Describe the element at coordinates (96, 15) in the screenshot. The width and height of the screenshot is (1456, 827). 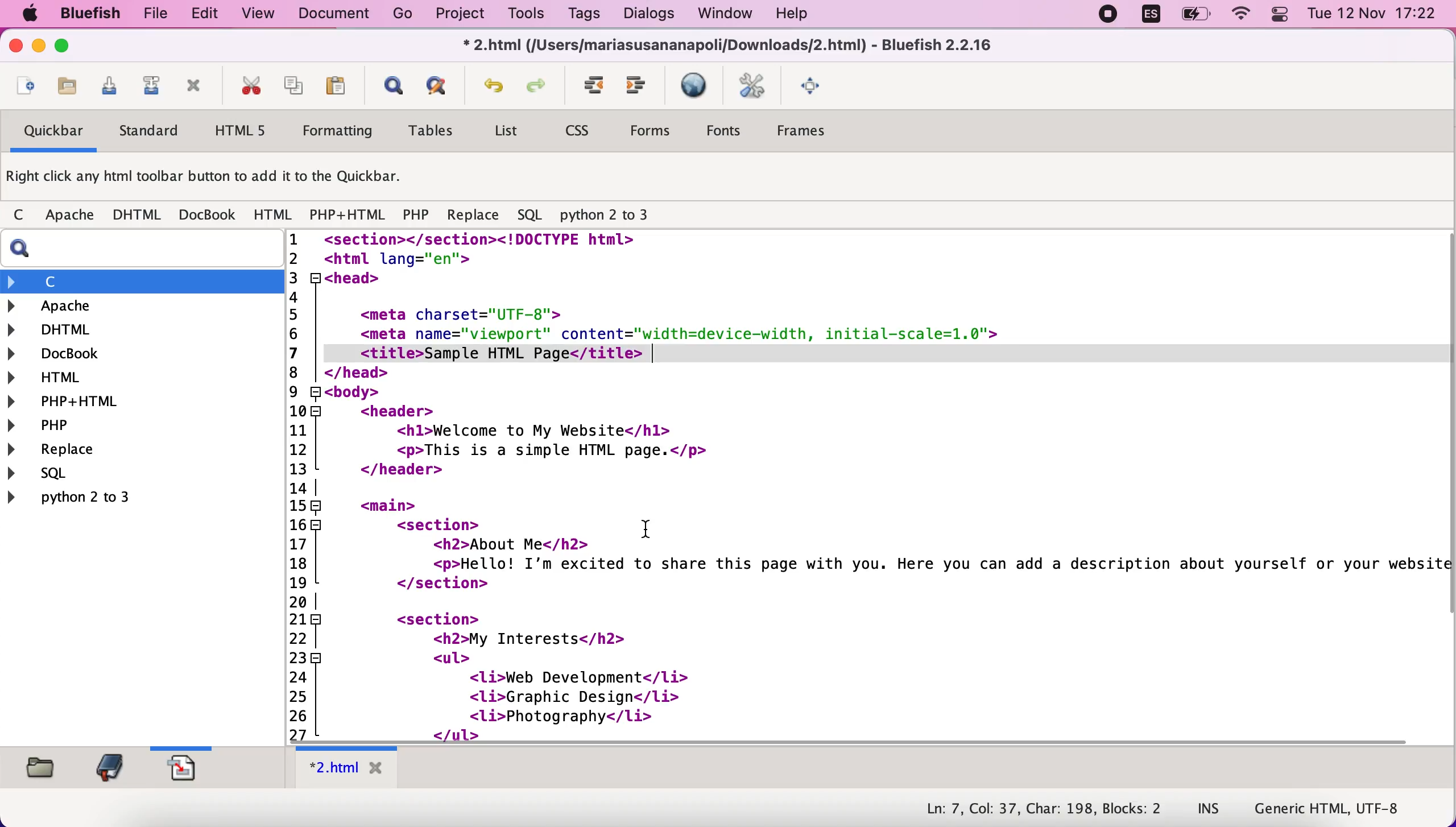
I see `bluefish` at that location.